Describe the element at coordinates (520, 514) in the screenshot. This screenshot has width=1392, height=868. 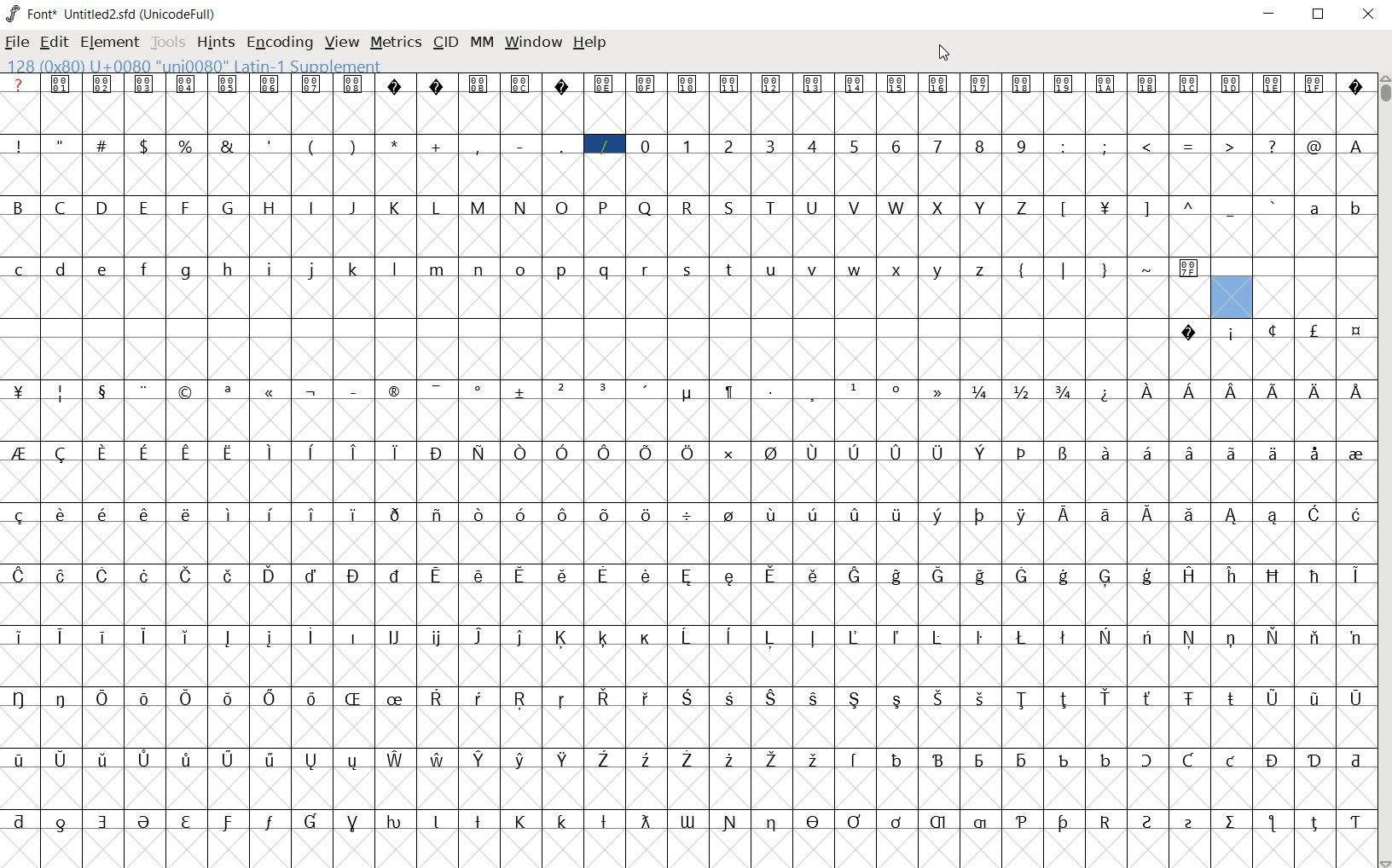
I see `glyph` at that location.